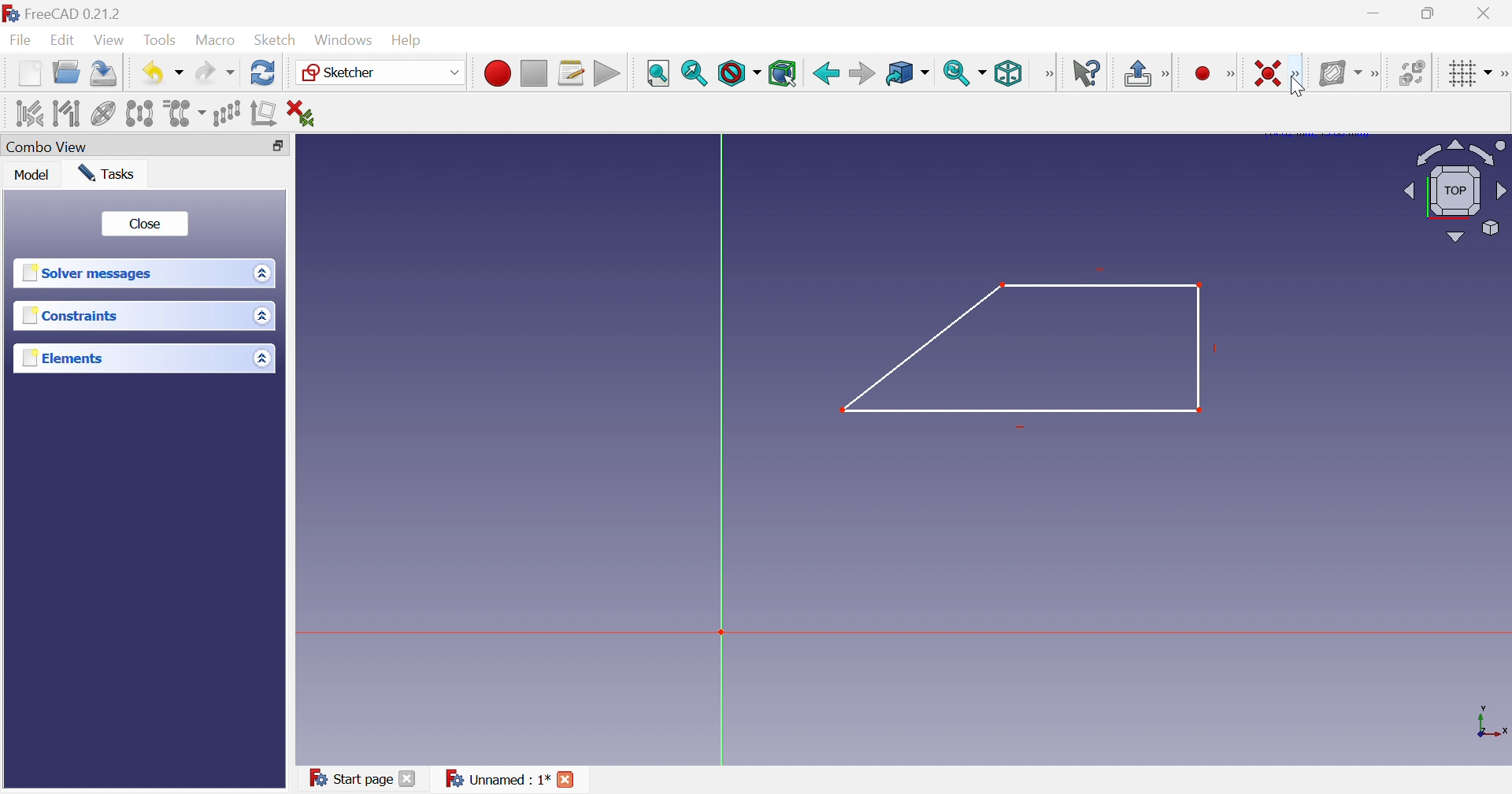 The image size is (1512, 794). I want to click on More, so click(1297, 75).